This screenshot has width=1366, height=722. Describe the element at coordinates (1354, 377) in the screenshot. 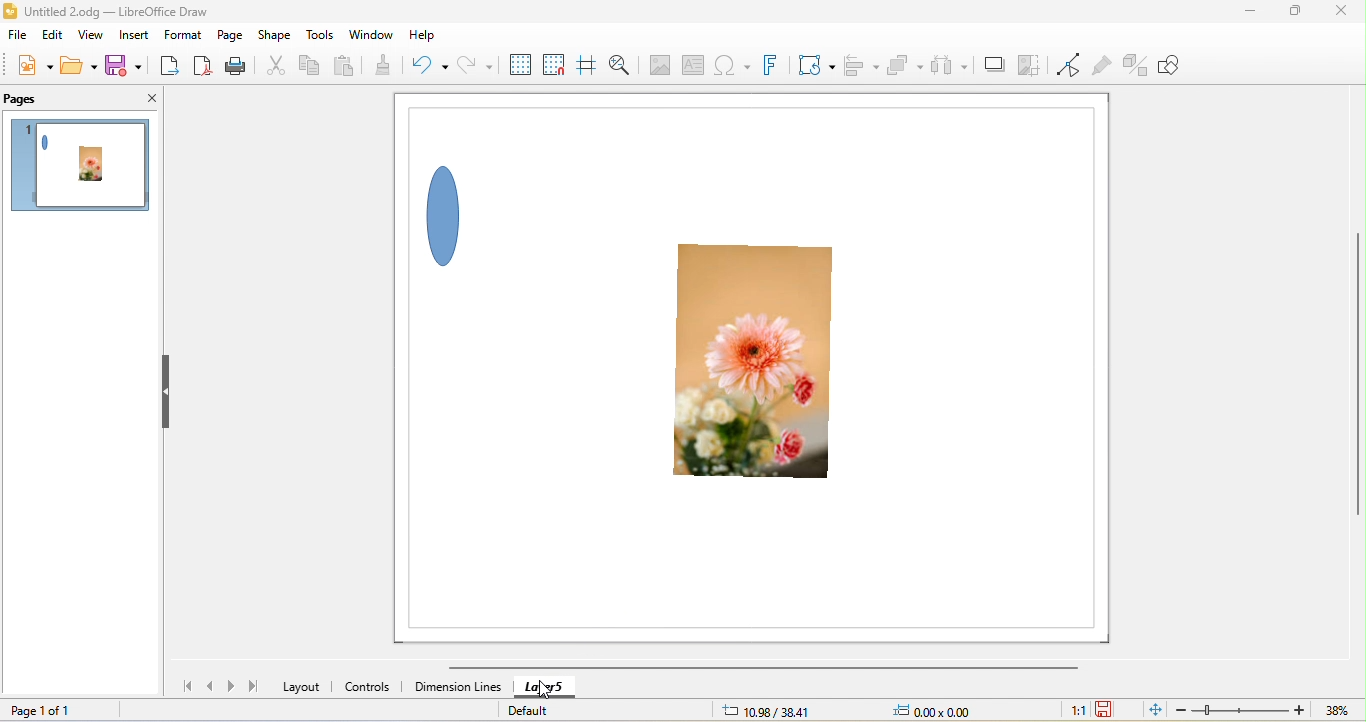

I see `vertical scroll bar` at that location.